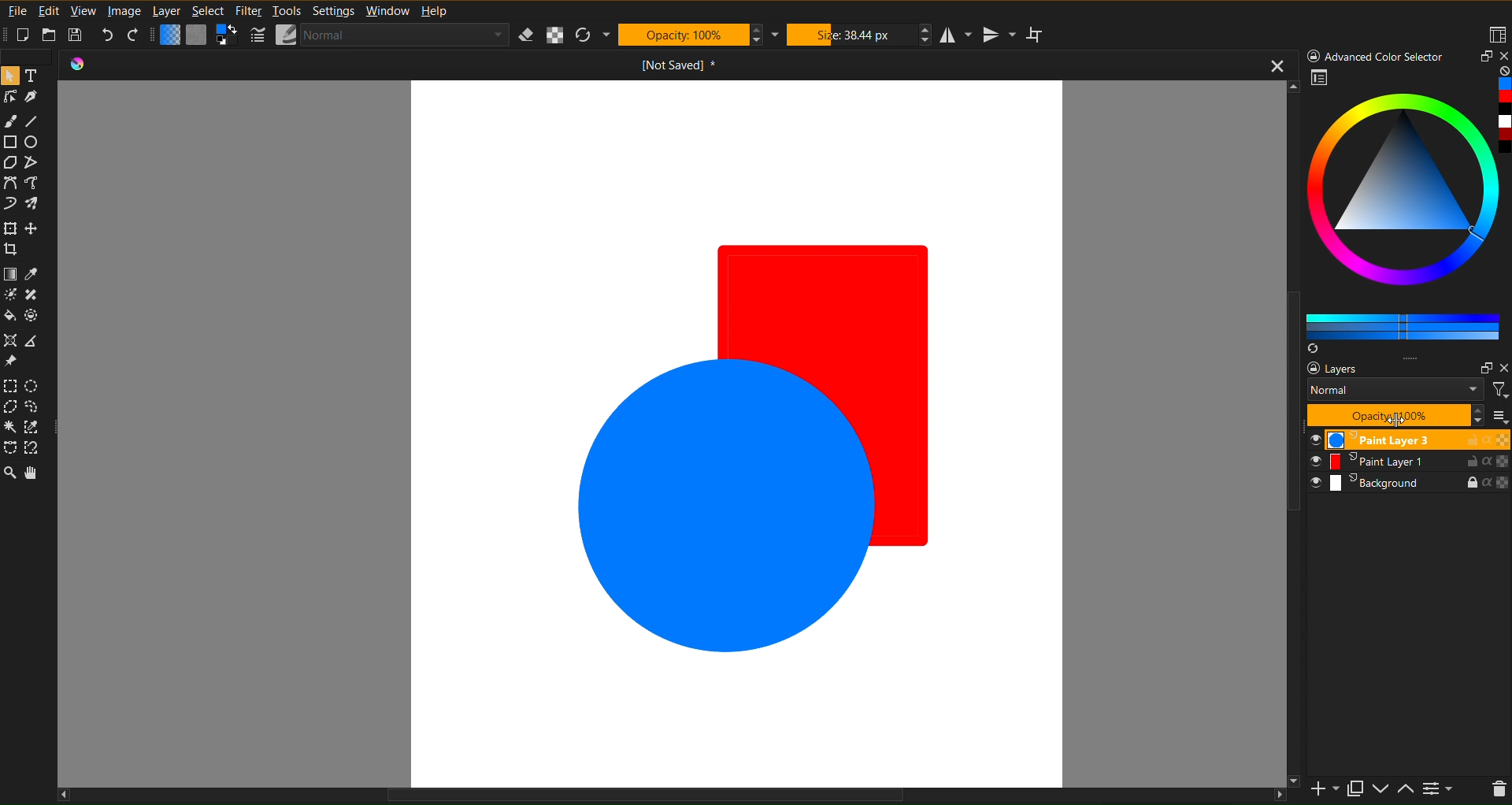  Describe the element at coordinates (35, 407) in the screenshot. I see `Selection Tool` at that location.